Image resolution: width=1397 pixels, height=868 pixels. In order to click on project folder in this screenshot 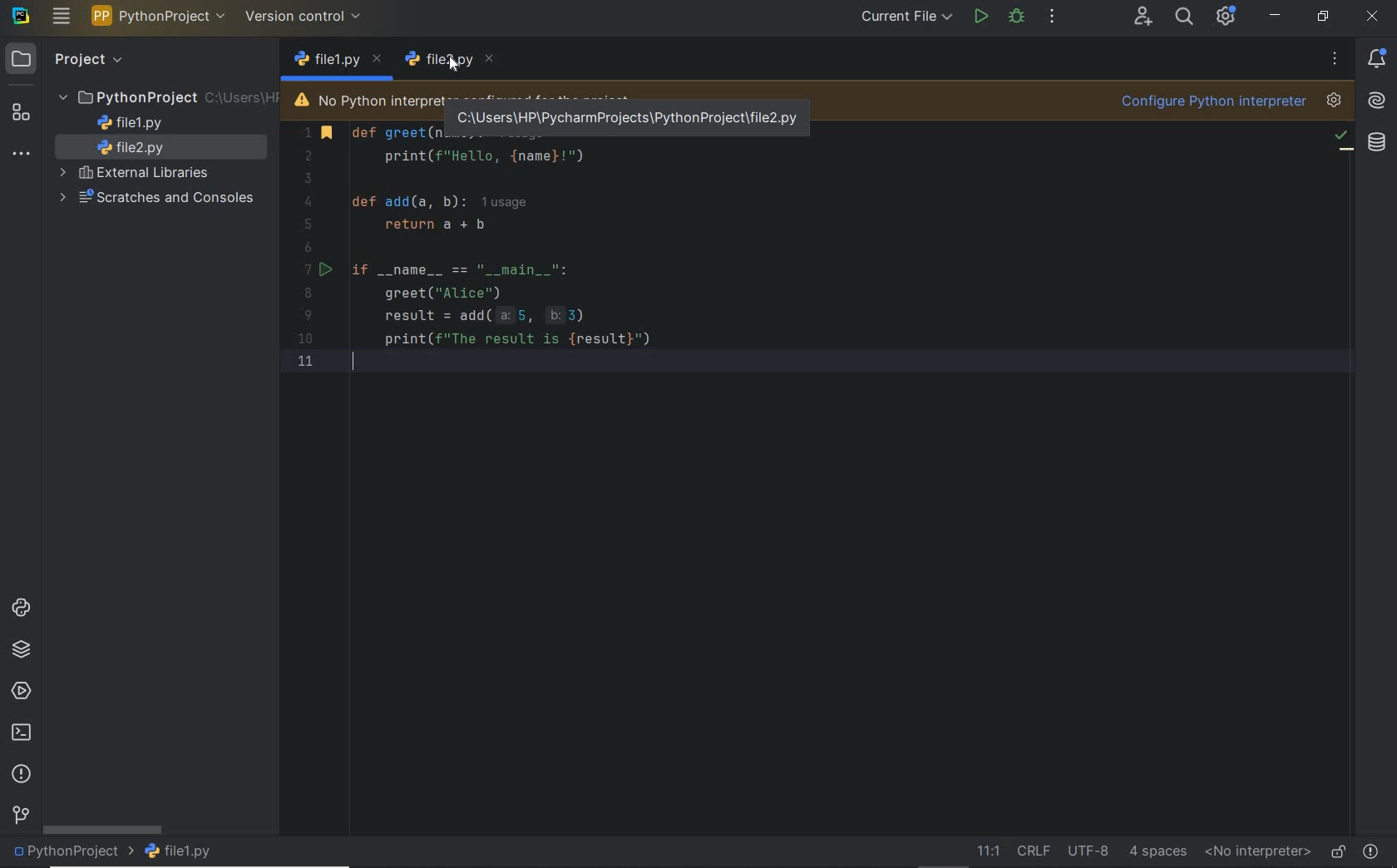, I will do `click(166, 98)`.